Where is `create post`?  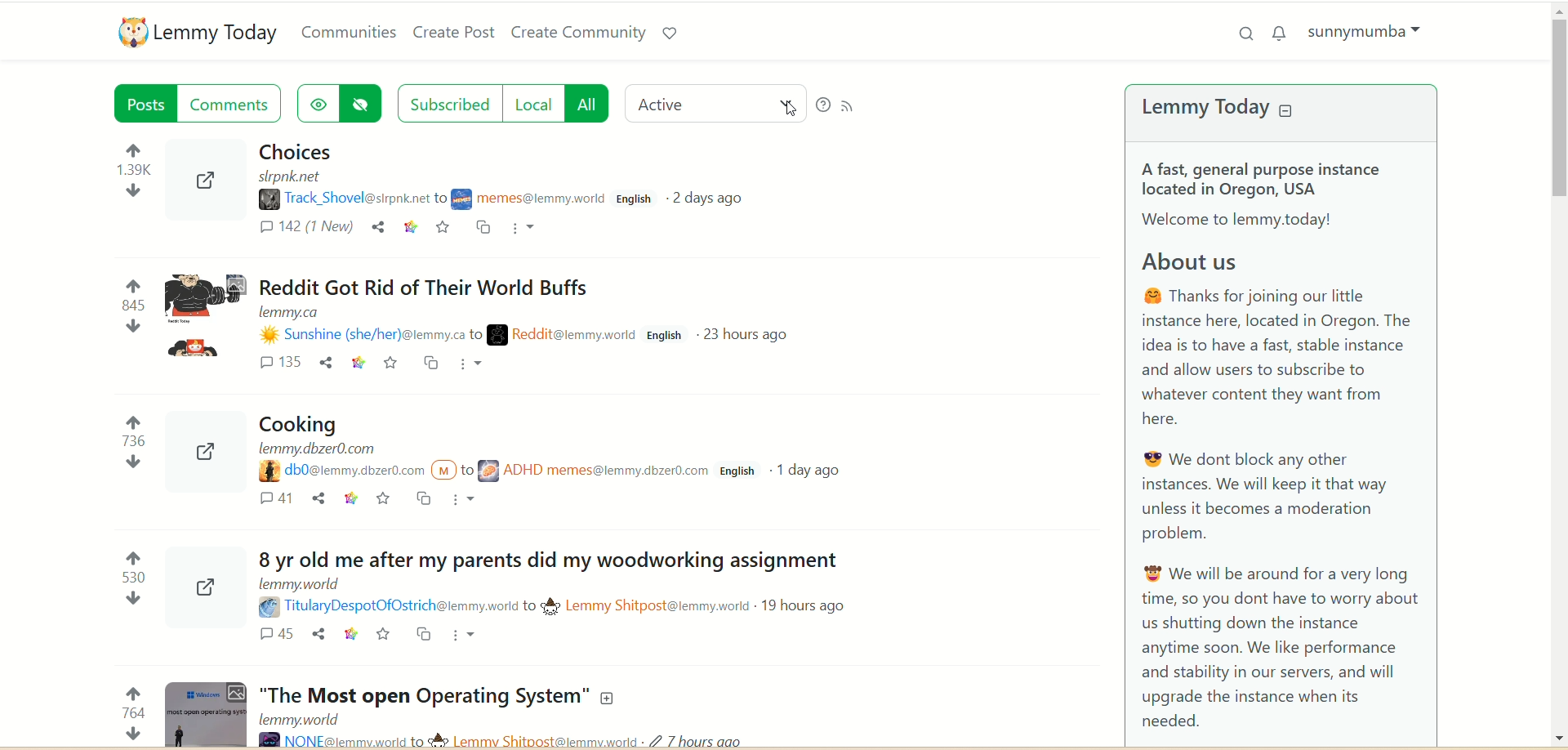
create post is located at coordinates (453, 34).